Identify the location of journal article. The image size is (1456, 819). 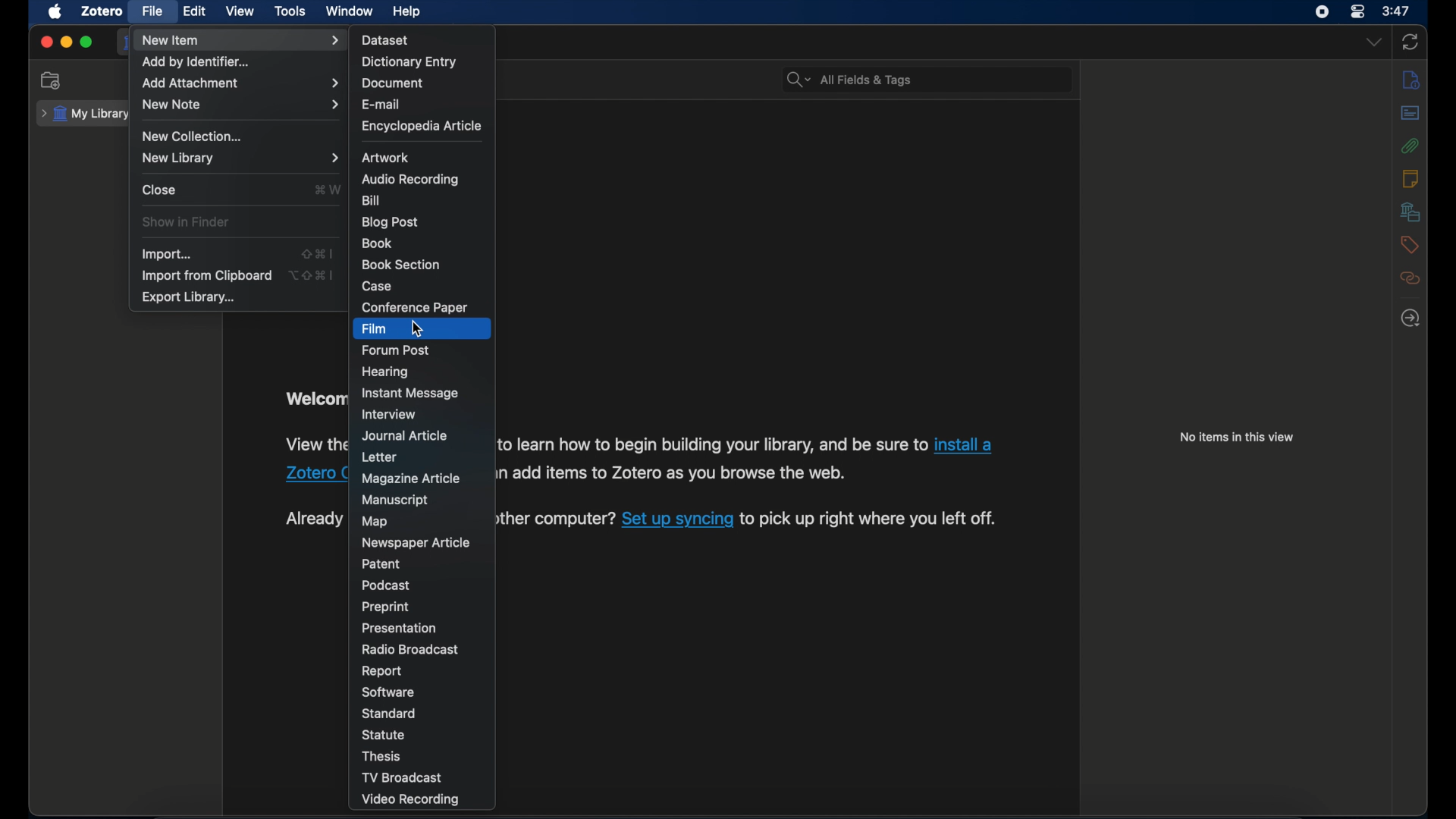
(406, 436).